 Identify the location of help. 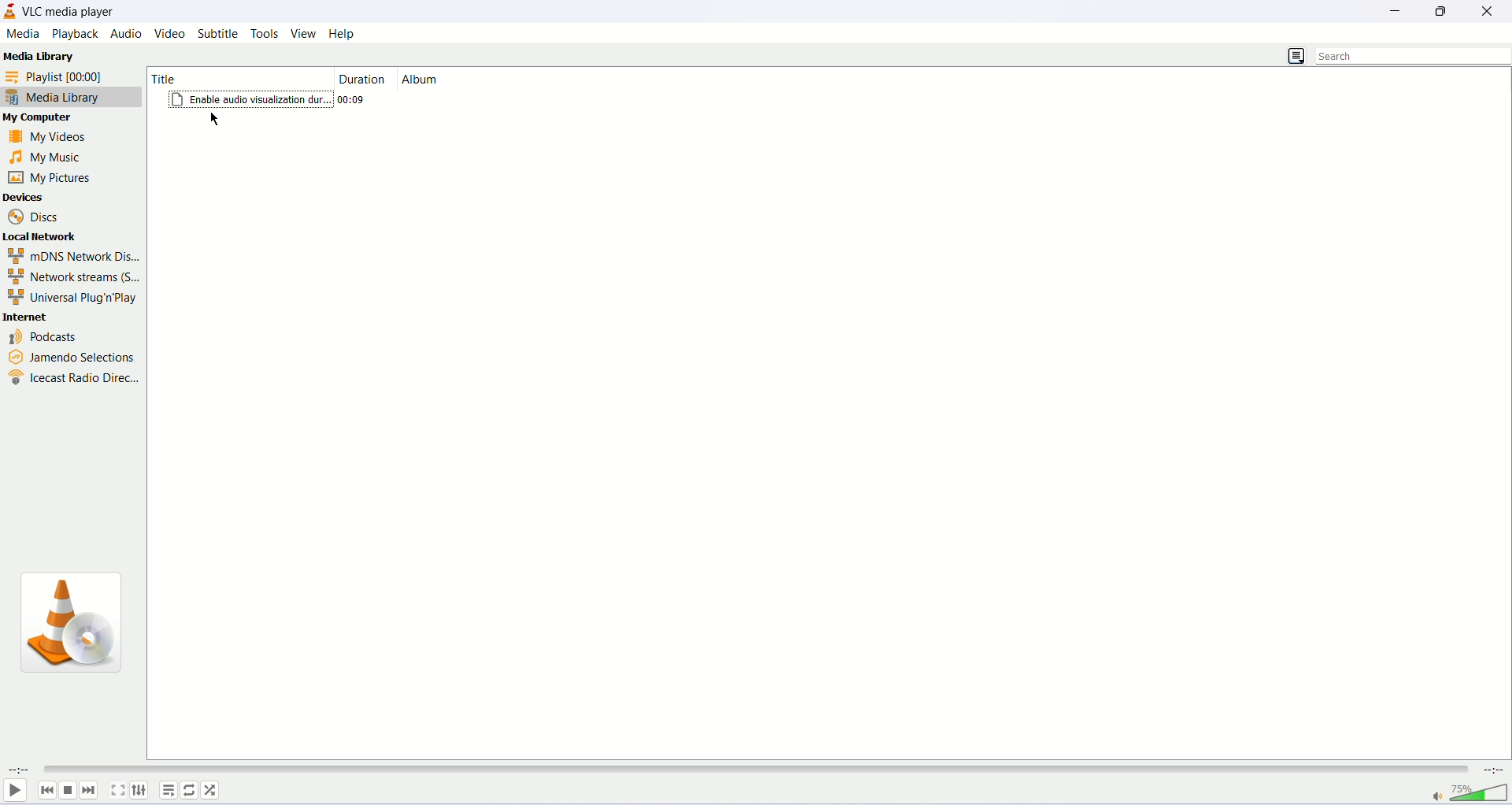
(343, 34).